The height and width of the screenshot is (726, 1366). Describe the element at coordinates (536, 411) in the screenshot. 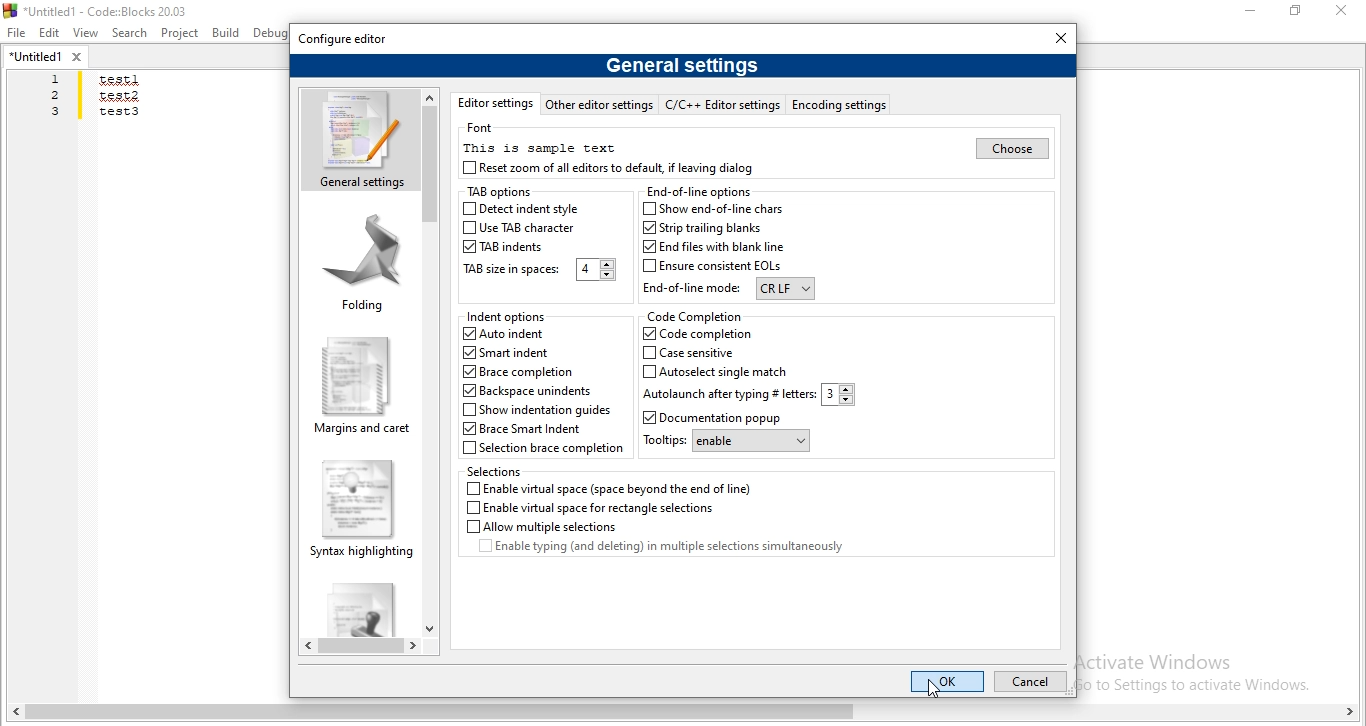

I see `Show indentation guides` at that location.